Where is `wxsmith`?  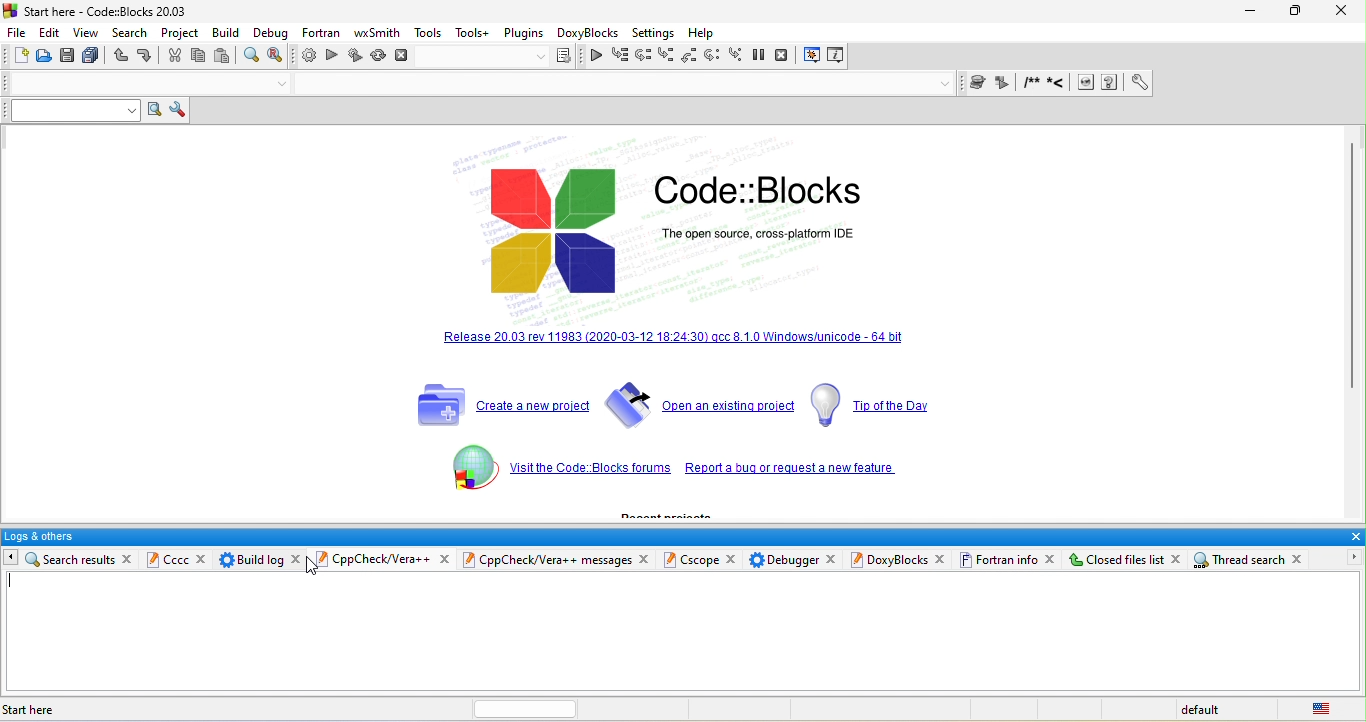
wxsmith is located at coordinates (378, 34).